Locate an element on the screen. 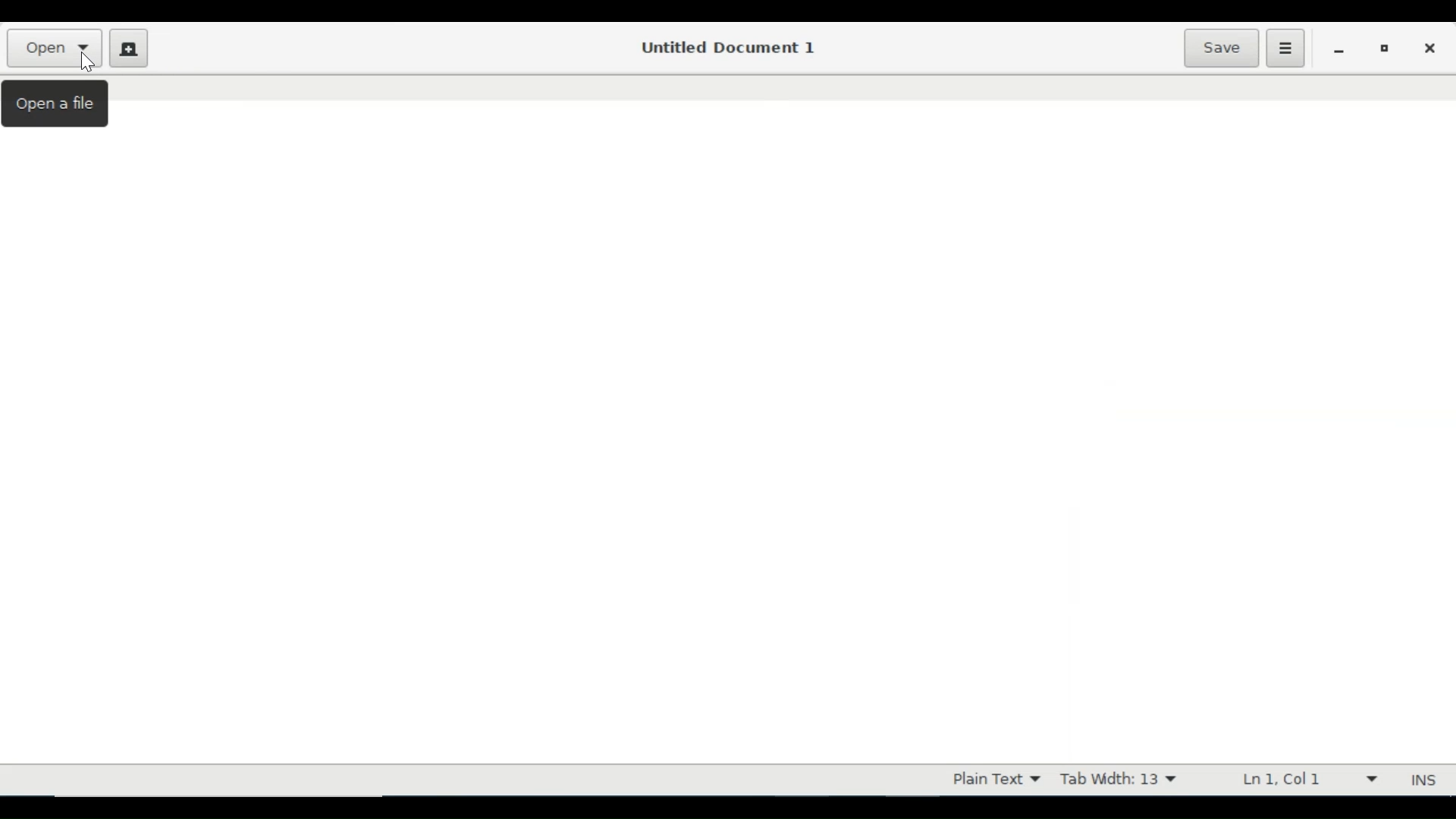 The image size is (1456, 819). Text Entry Pane is located at coordinates (728, 444).